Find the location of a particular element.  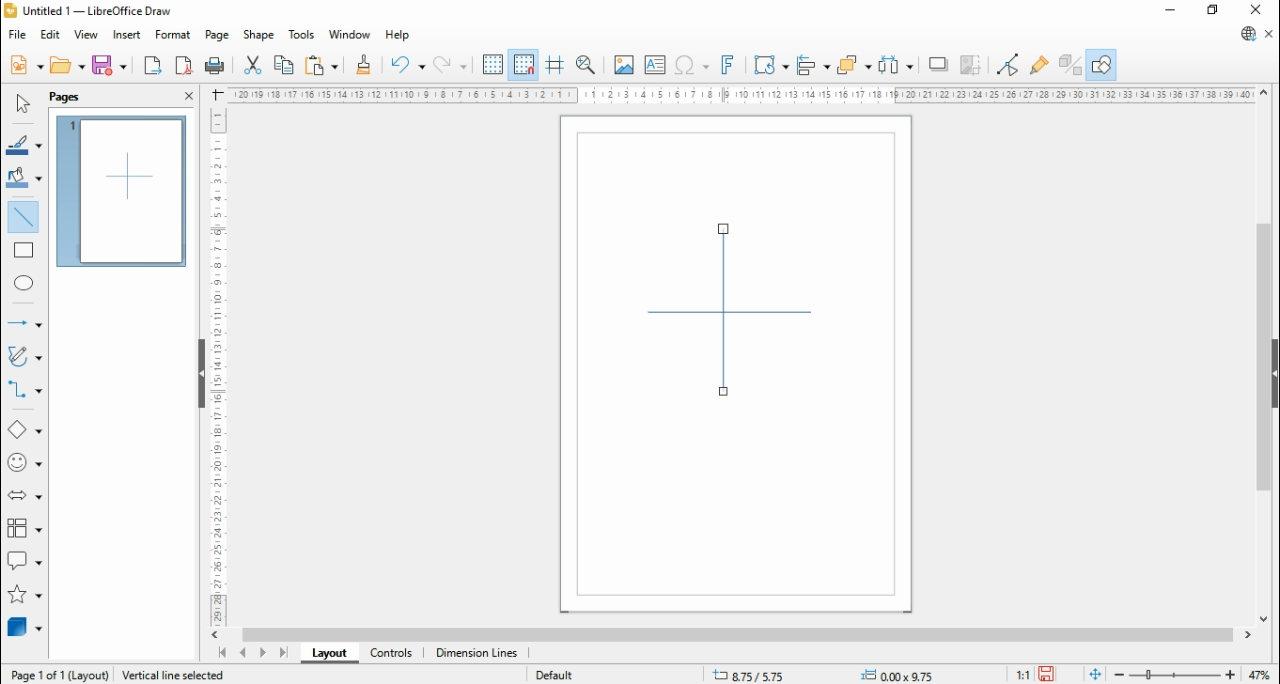

new is located at coordinates (25, 66).